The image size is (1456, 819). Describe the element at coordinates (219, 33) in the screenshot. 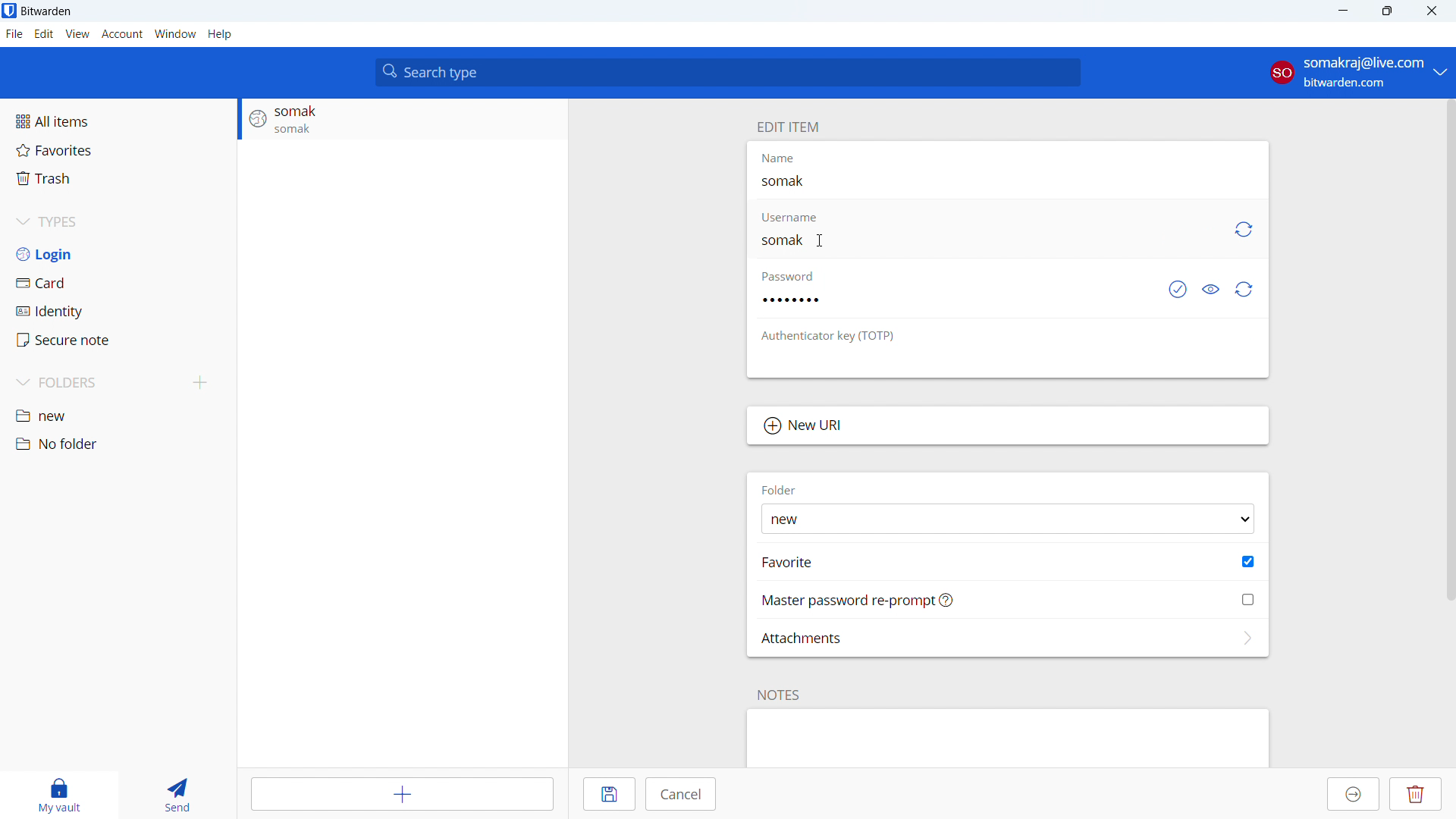

I see `help` at that location.